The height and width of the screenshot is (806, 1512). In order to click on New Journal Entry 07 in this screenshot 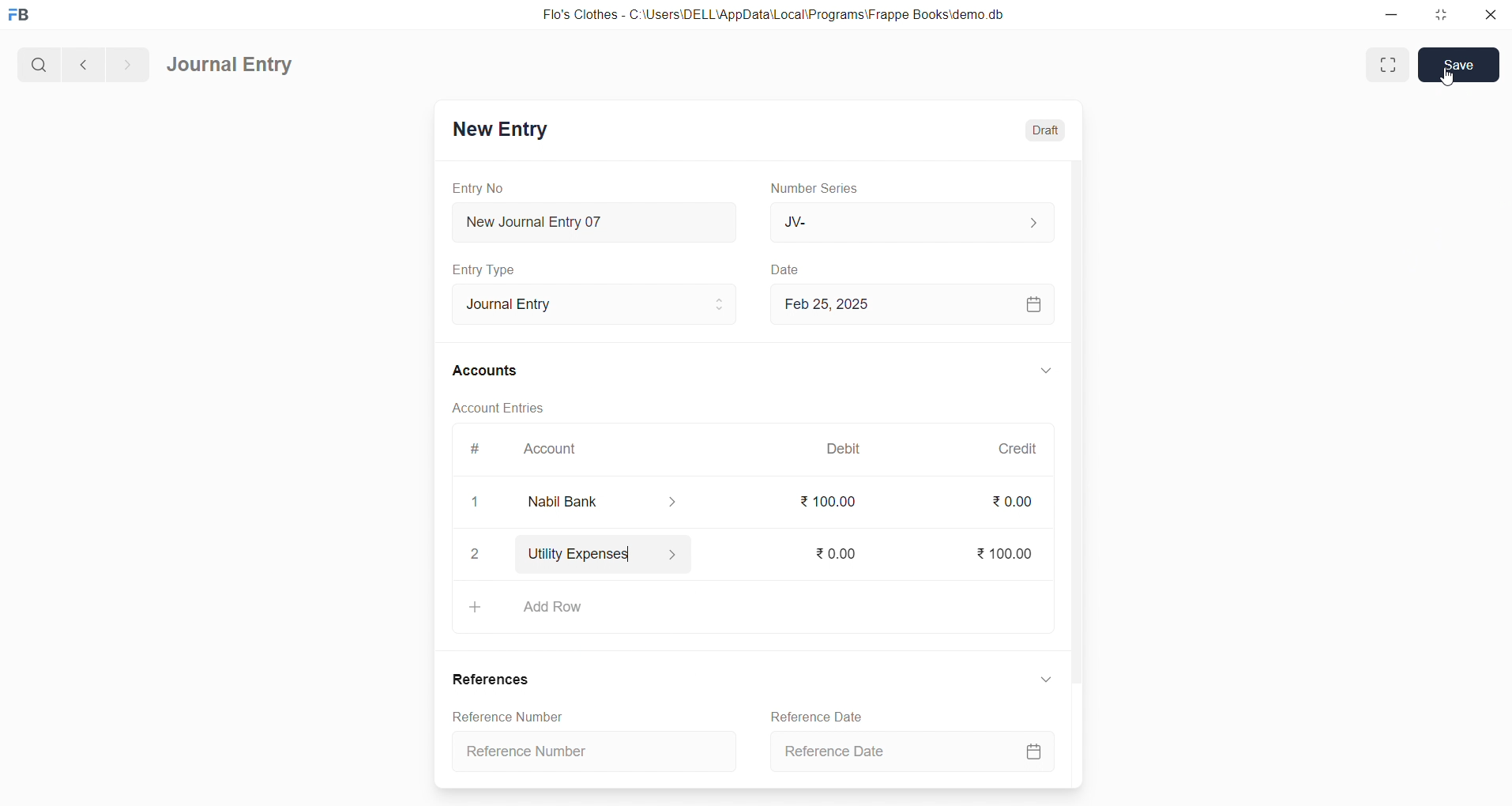, I will do `click(588, 218)`.